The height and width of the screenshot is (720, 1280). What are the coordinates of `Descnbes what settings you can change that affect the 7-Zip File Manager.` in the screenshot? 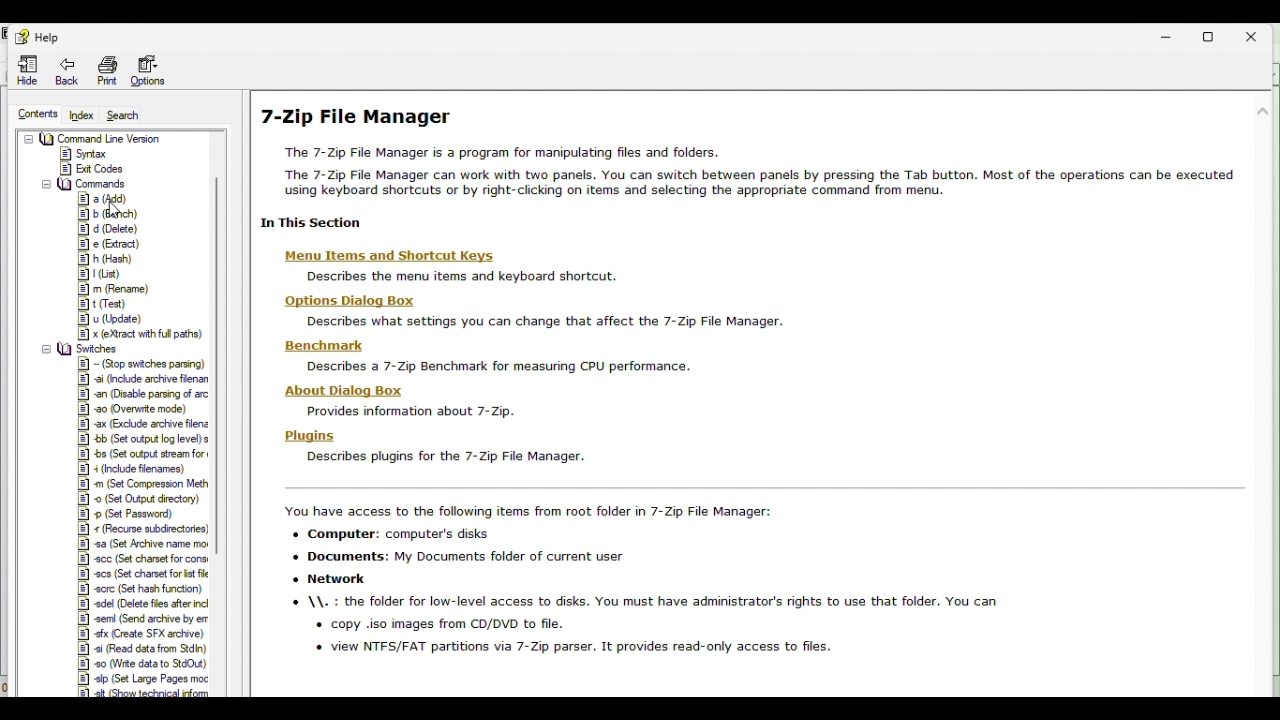 It's located at (541, 323).